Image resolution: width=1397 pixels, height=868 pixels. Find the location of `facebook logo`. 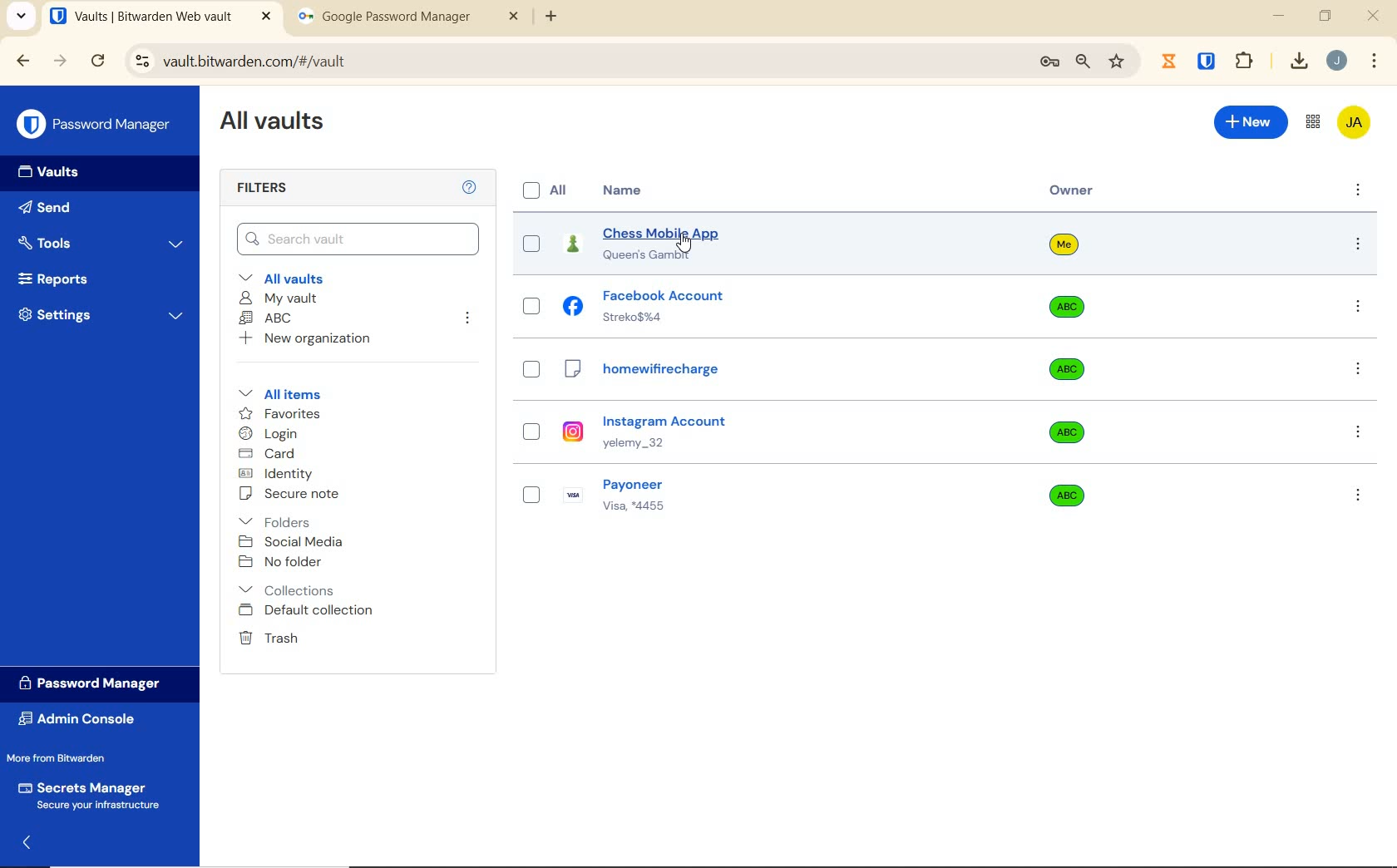

facebook logo is located at coordinates (574, 303).